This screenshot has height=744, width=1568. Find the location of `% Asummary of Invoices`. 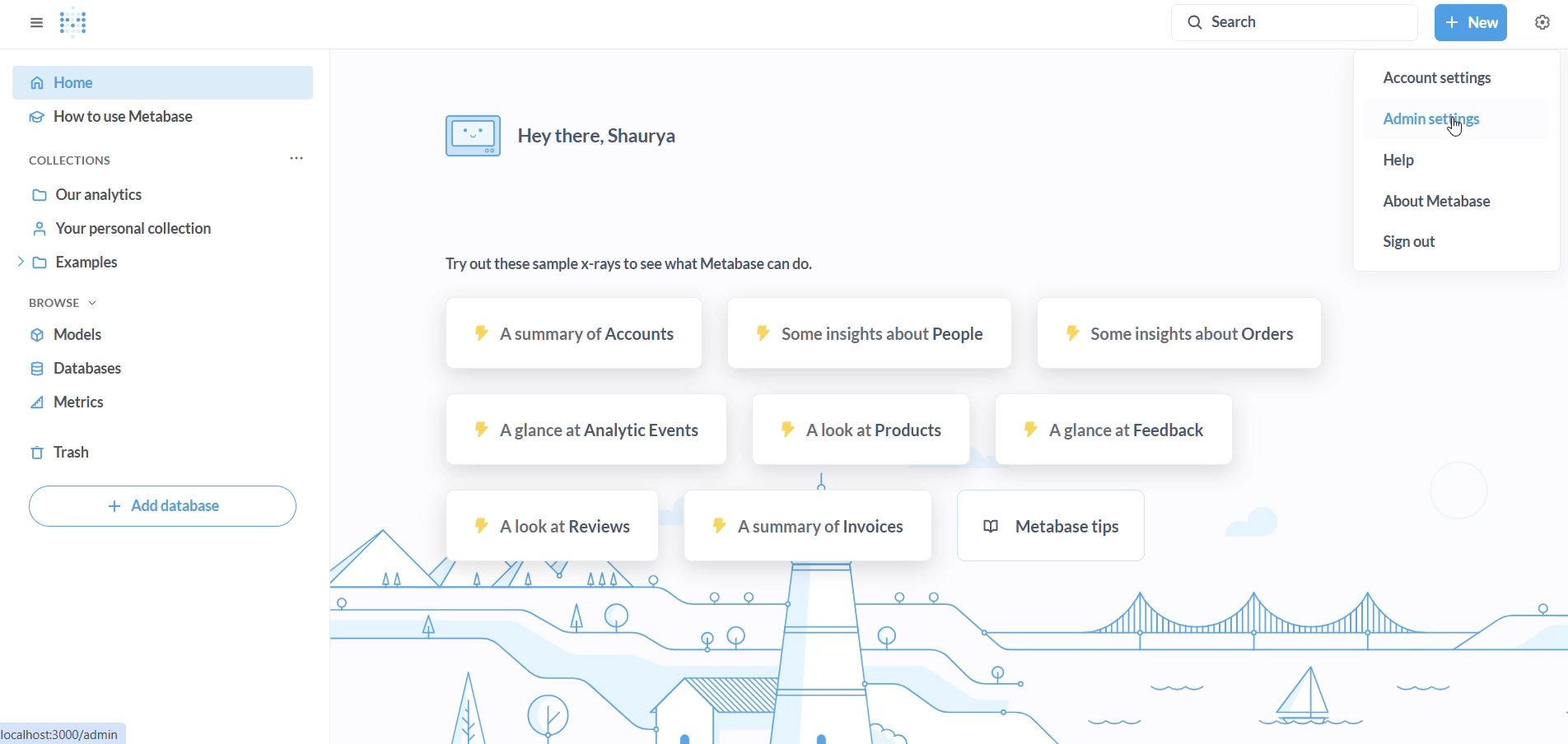

% Asummary of Invoices is located at coordinates (810, 527).